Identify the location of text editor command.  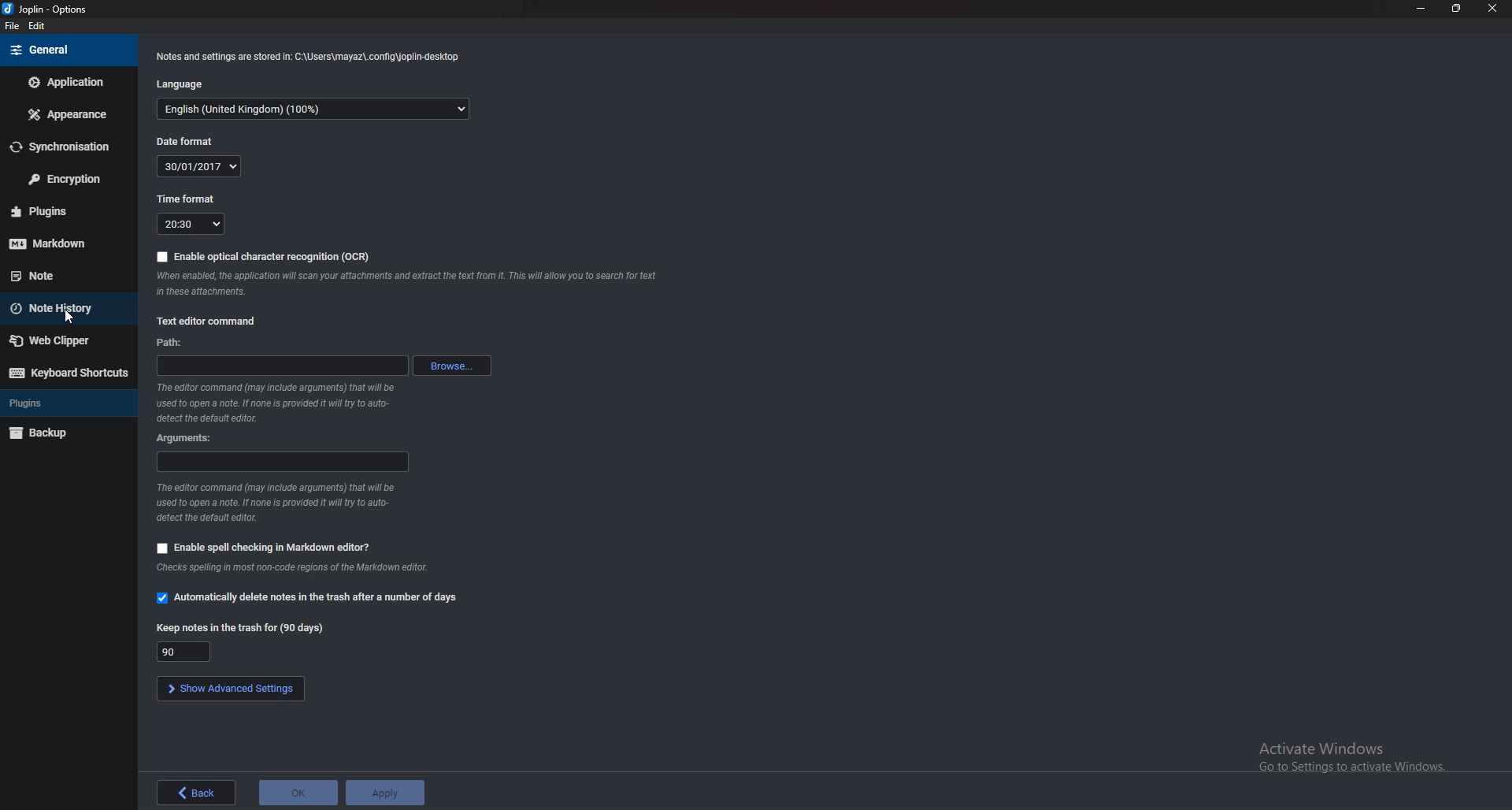
(209, 321).